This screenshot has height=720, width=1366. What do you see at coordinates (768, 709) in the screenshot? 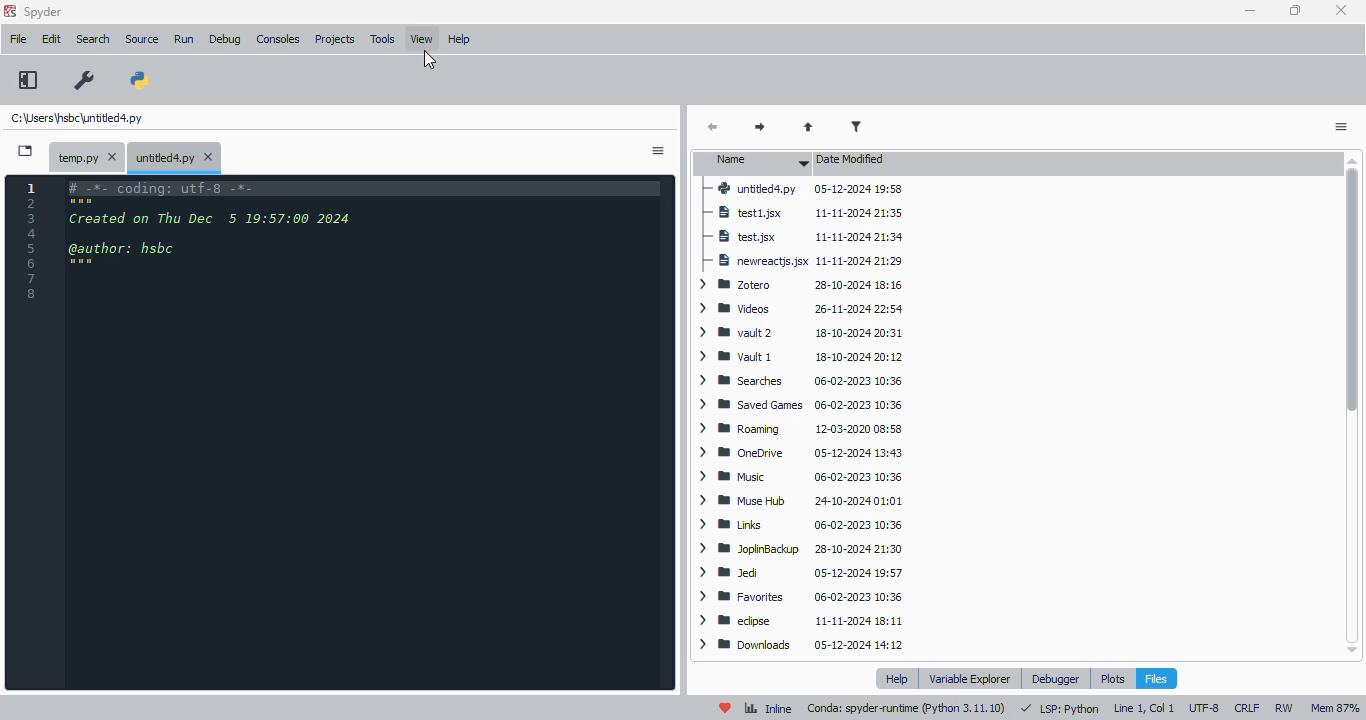
I see `inline` at bounding box center [768, 709].